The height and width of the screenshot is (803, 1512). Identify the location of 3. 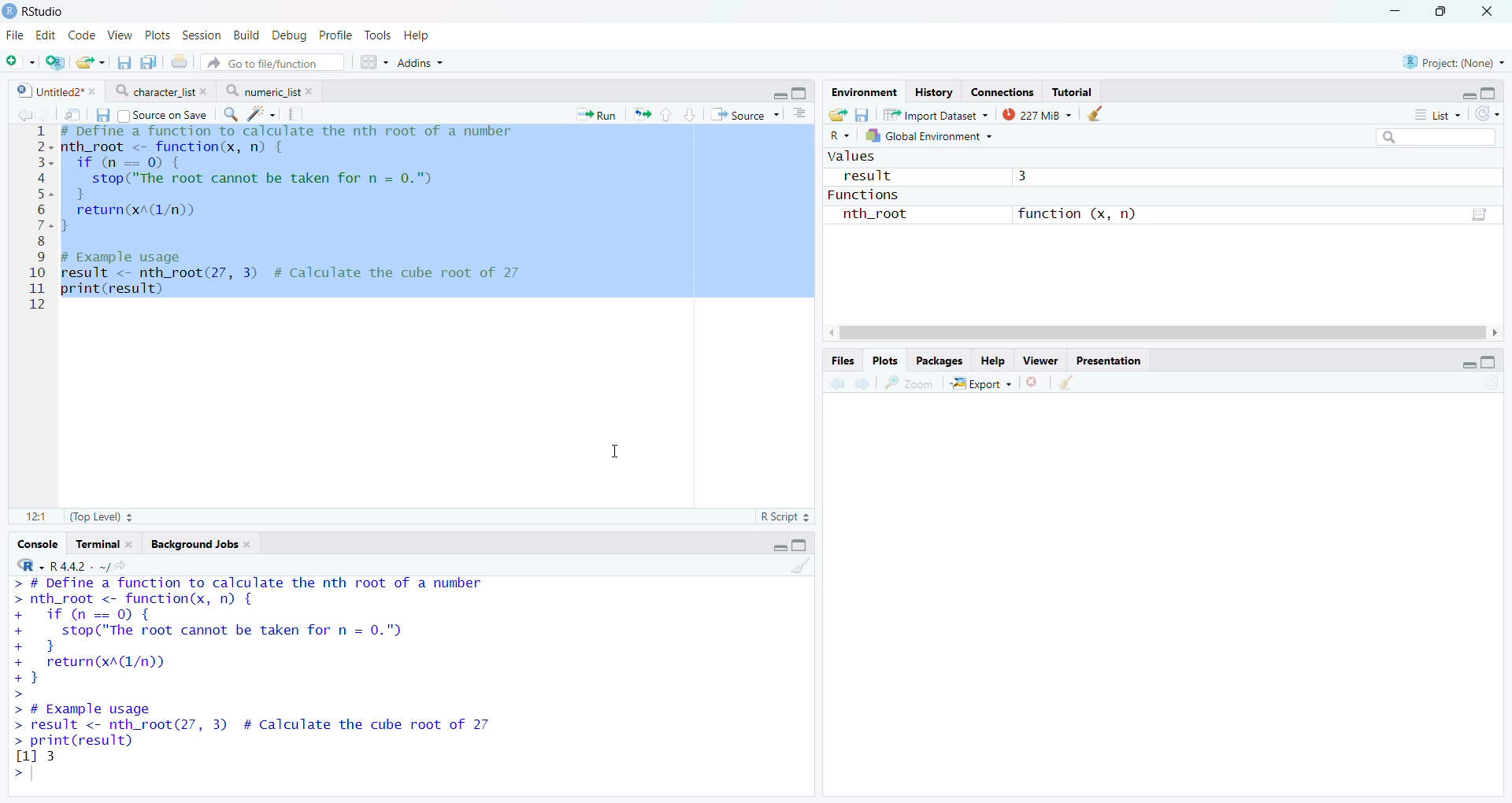
(1029, 176).